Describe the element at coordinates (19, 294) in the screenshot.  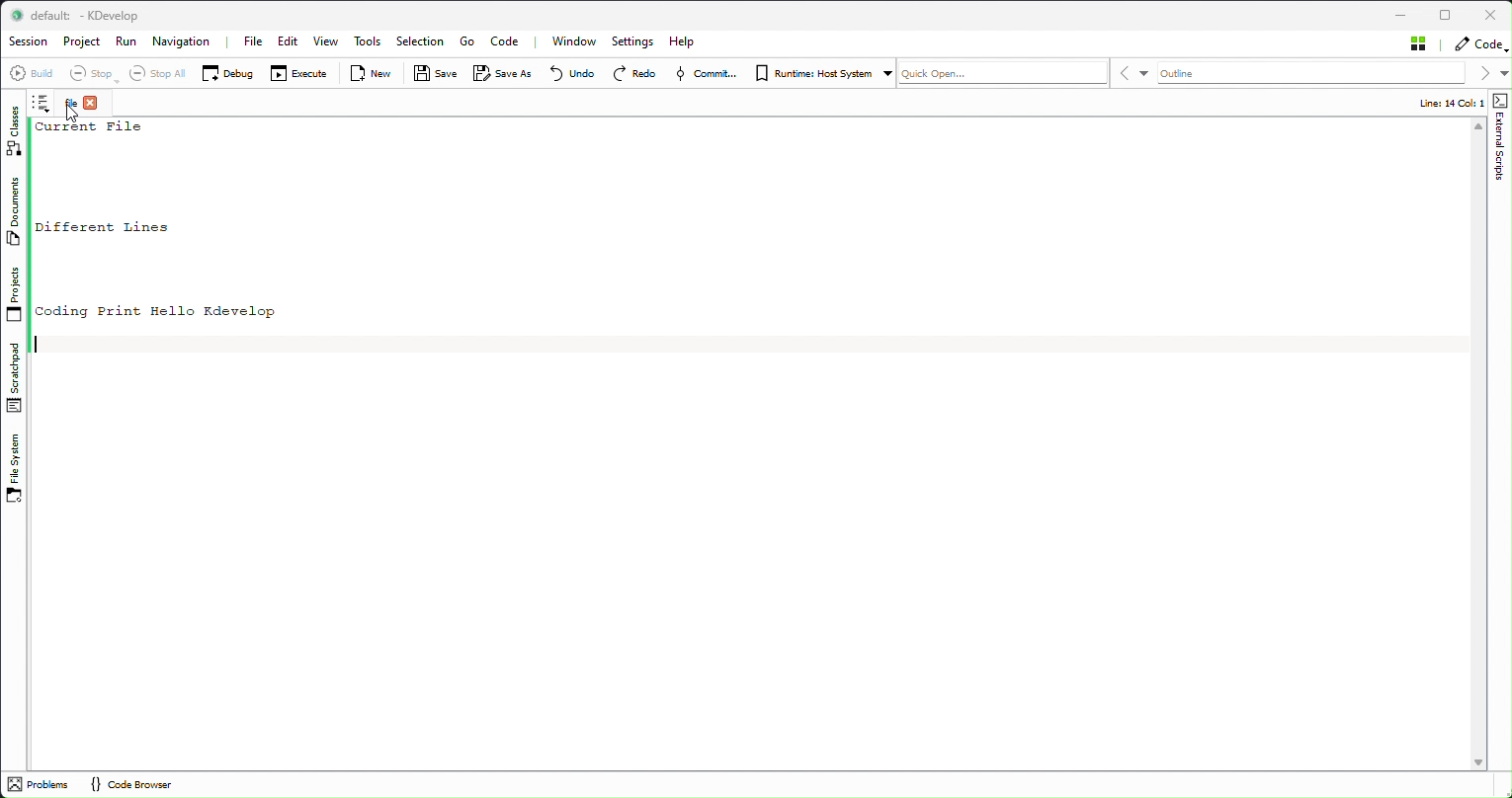
I see `Projects` at that location.